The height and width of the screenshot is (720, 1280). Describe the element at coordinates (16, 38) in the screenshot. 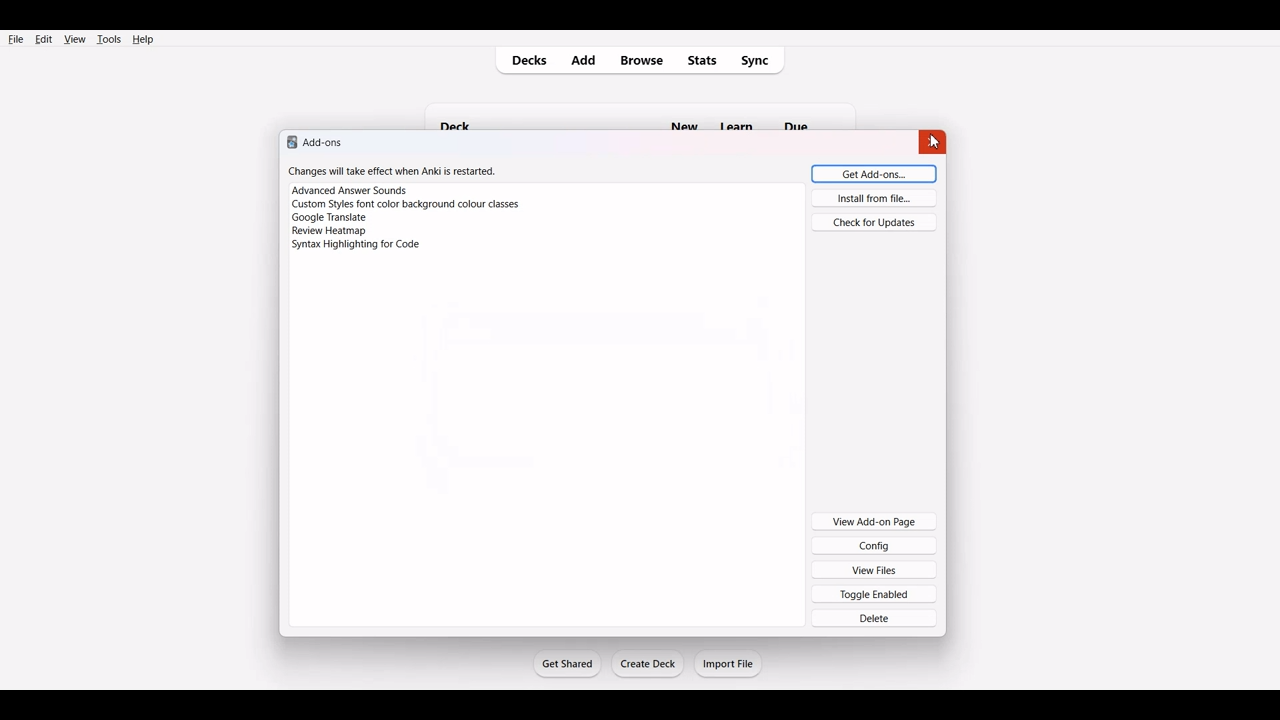

I see `File` at that location.